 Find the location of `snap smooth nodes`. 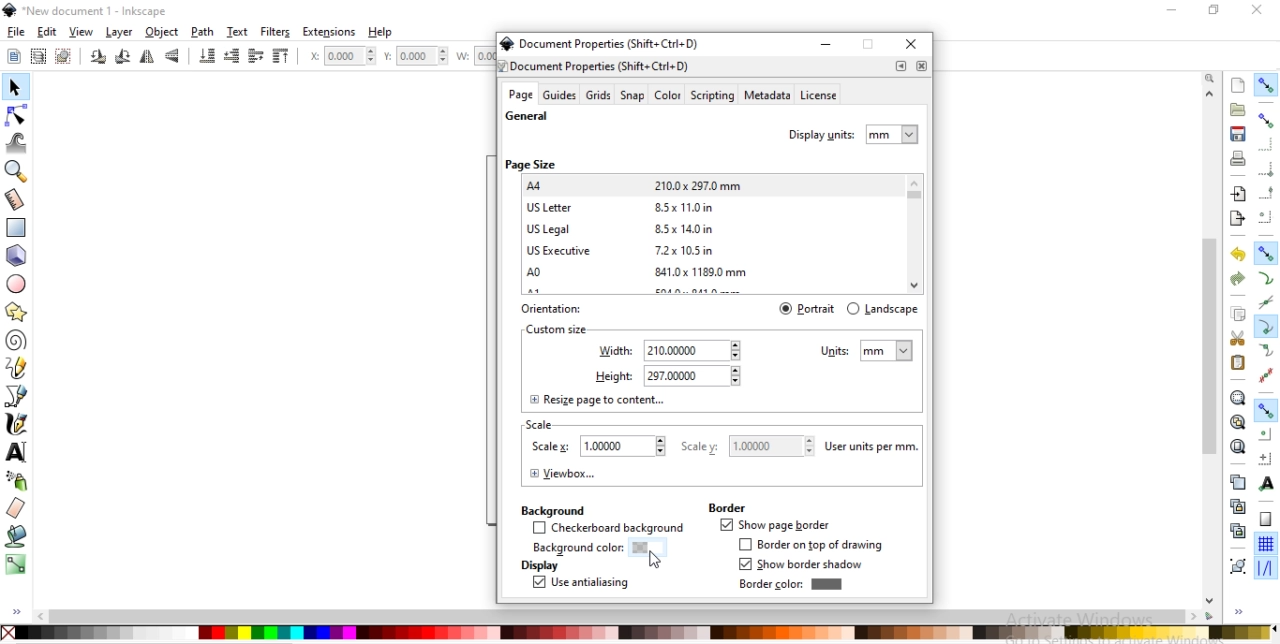

snap smooth nodes is located at coordinates (1264, 351).